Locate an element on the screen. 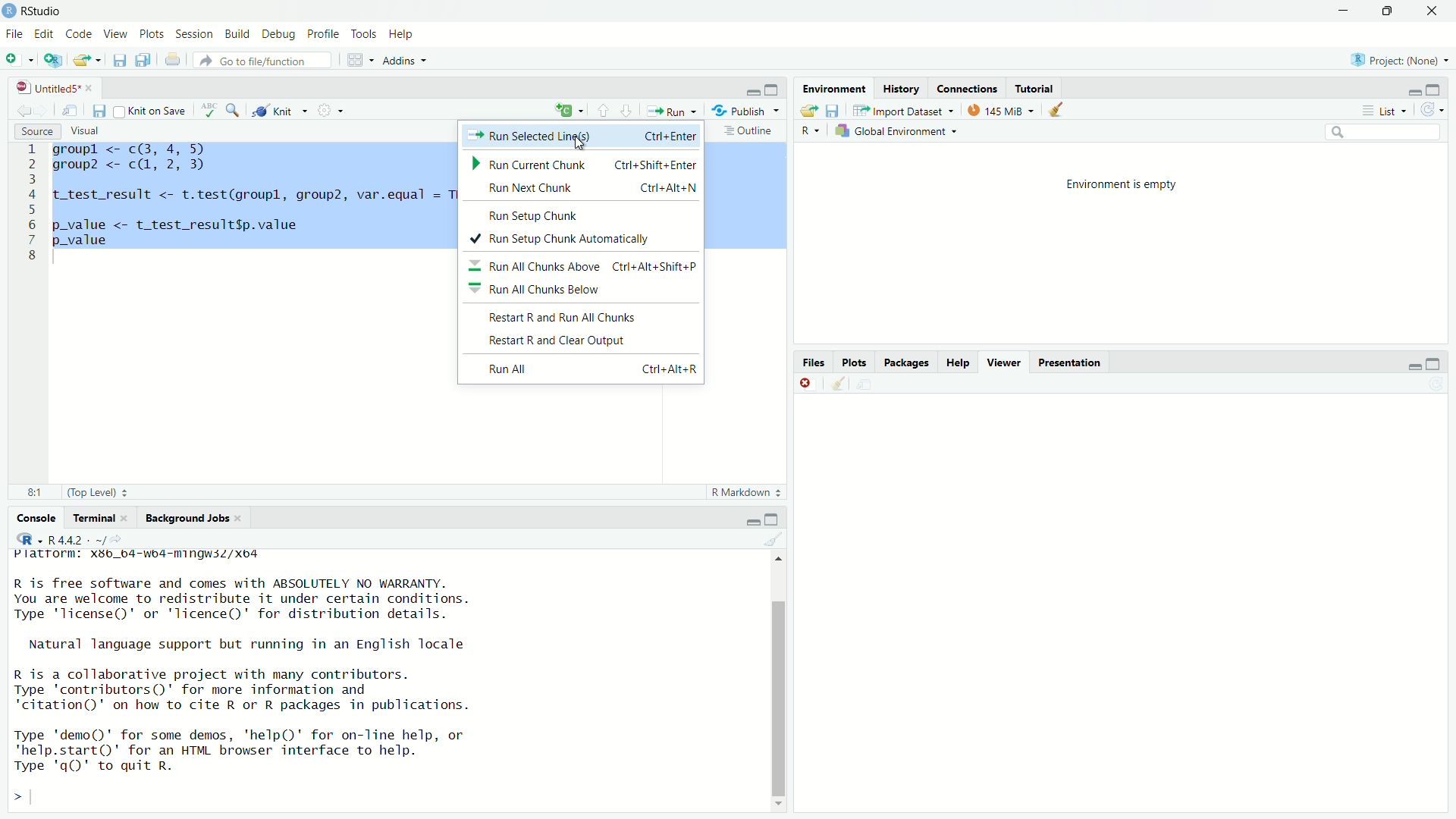 This screenshot has height=819, width=1456. maximise is located at coordinates (1440, 86).